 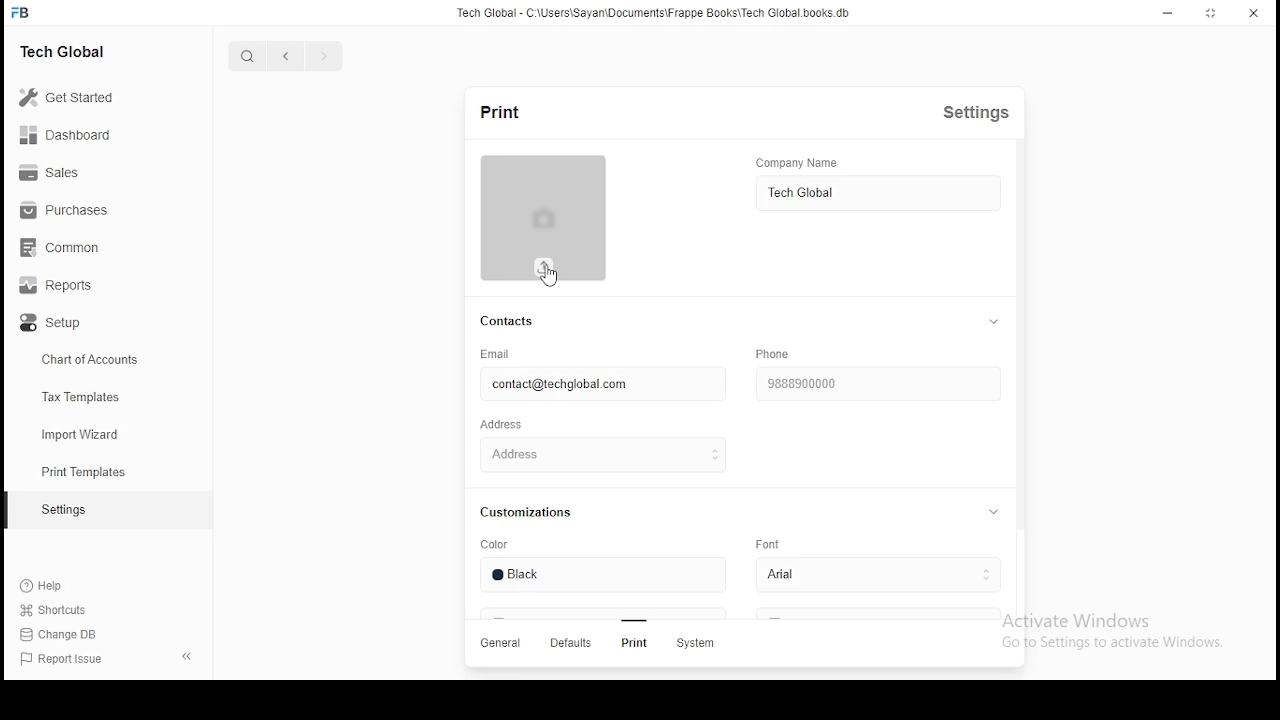 What do you see at coordinates (768, 544) in the screenshot?
I see `Font` at bounding box center [768, 544].